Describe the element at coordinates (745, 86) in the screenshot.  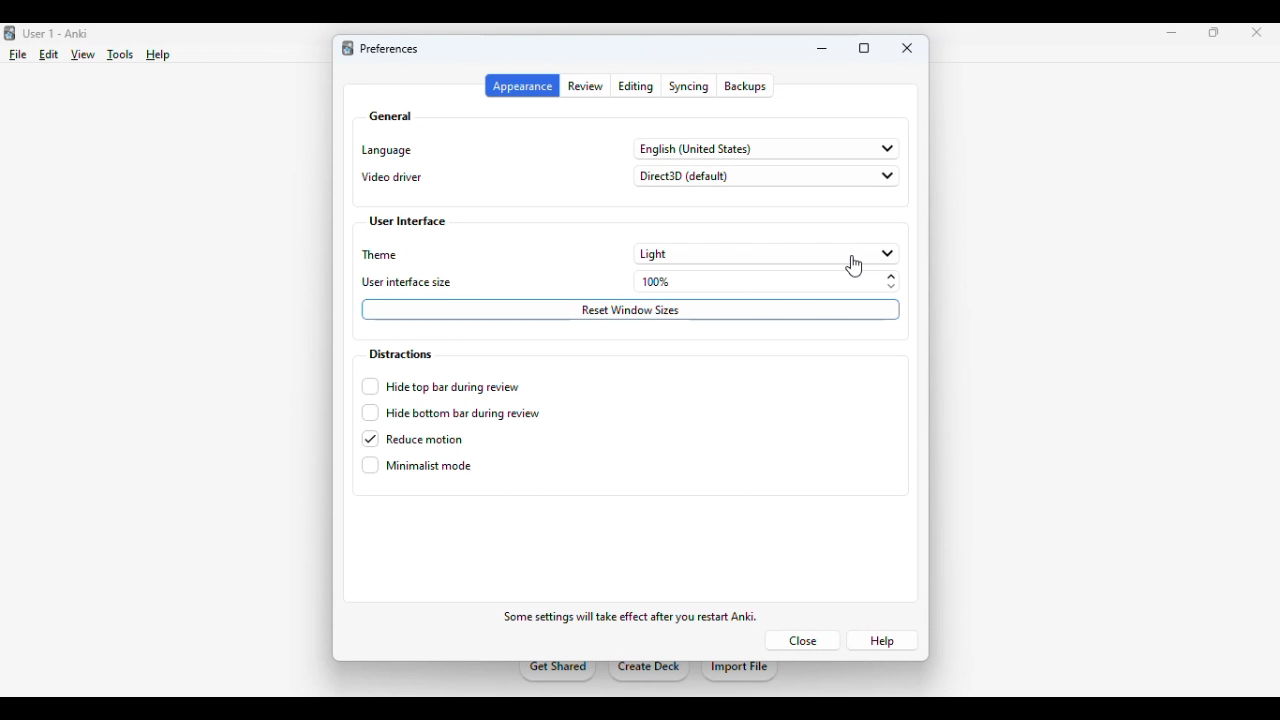
I see `backups` at that location.